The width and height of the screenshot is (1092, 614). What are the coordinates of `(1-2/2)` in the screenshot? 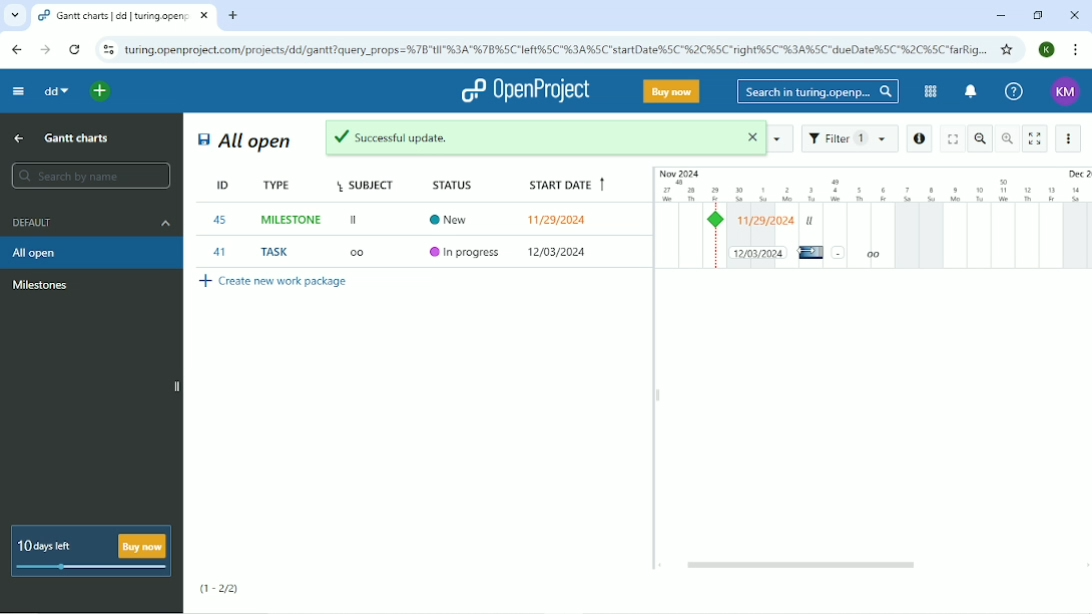 It's located at (219, 589).